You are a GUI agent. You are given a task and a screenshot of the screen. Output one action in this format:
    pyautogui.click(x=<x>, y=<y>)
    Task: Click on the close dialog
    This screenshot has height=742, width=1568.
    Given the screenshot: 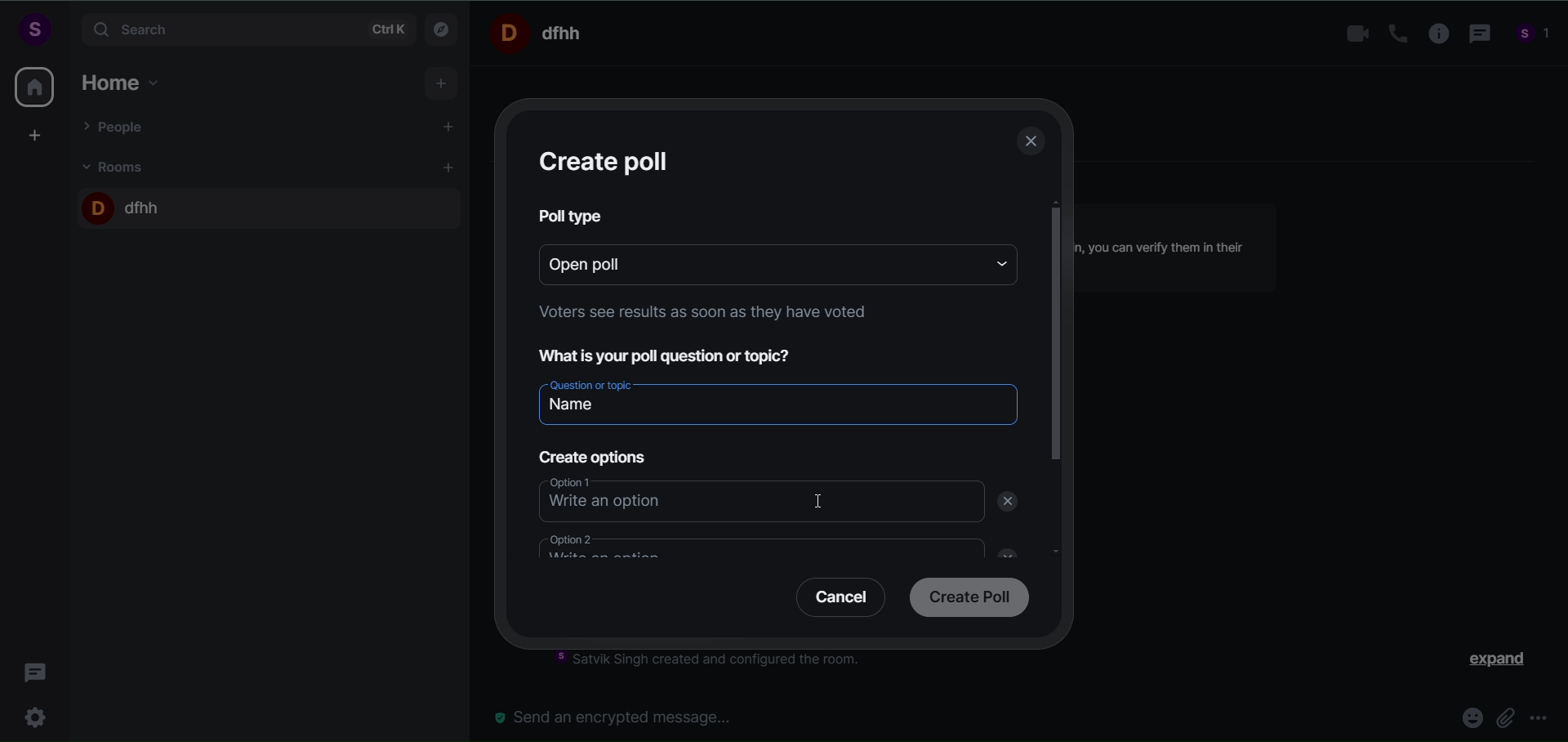 What is the action you would take?
    pyautogui.click(x=1032, y=144)
    